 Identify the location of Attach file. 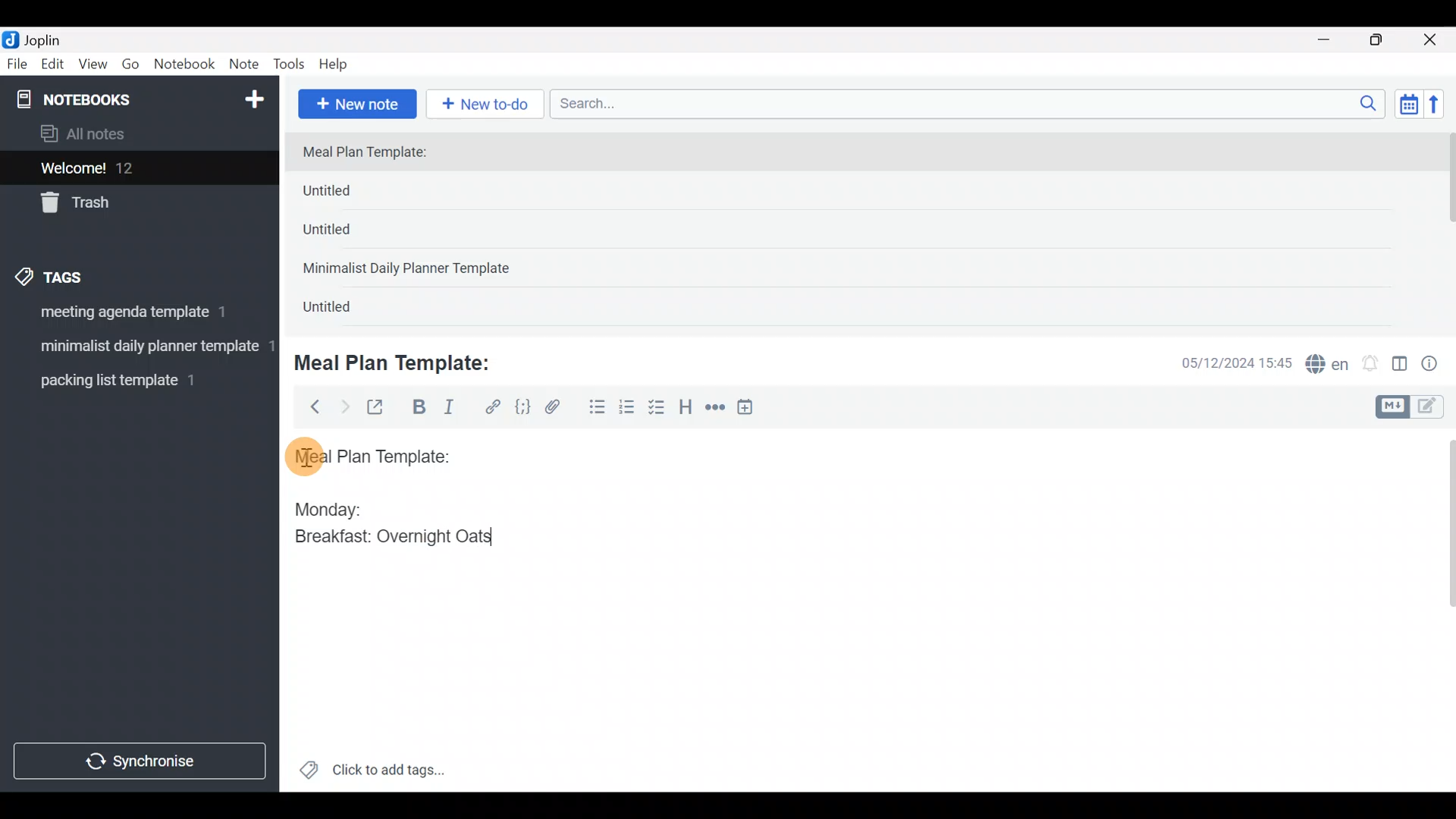
(557, 409).